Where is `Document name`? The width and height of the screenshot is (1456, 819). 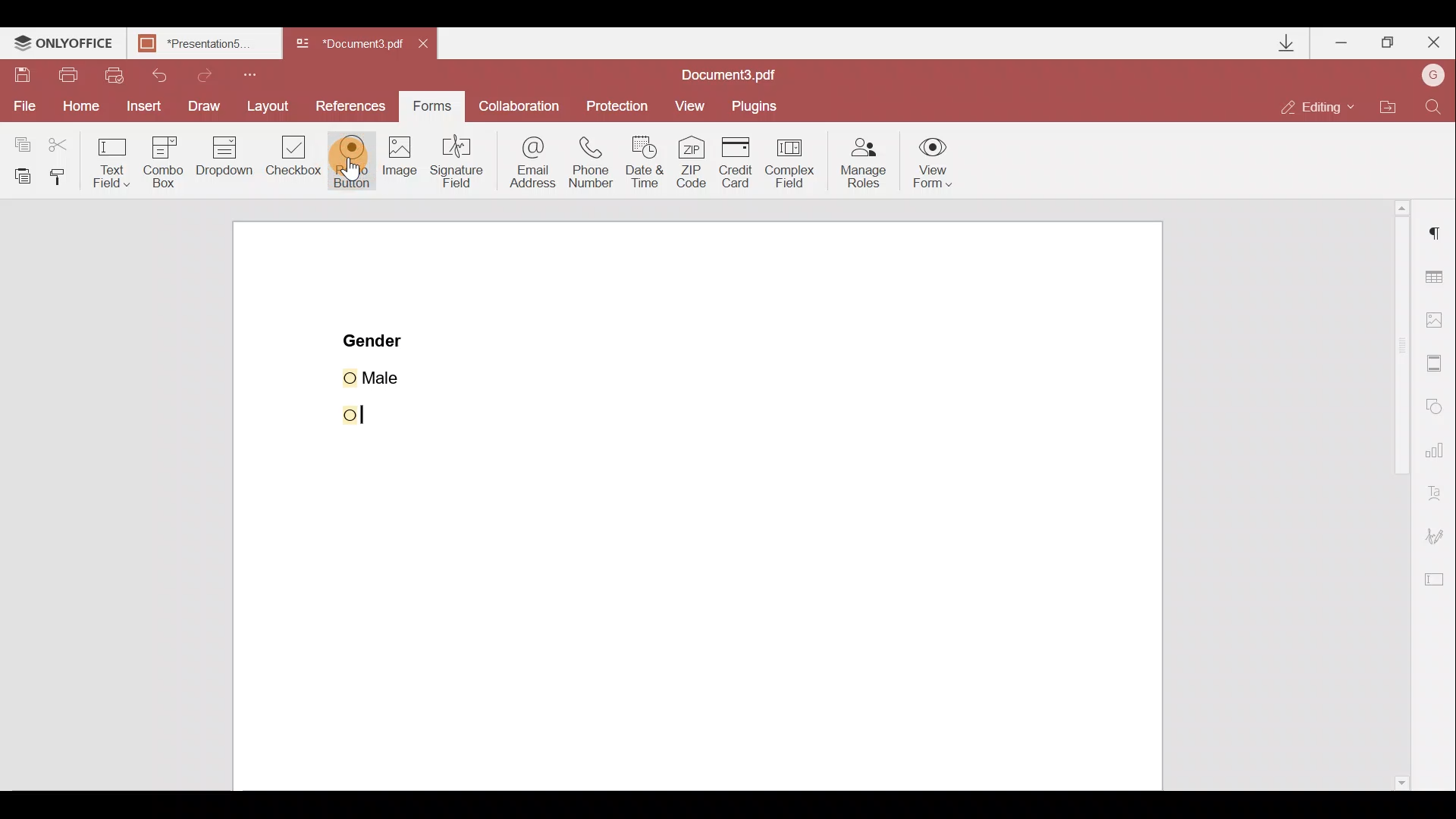
Document name is located at coordinates (733, 73).